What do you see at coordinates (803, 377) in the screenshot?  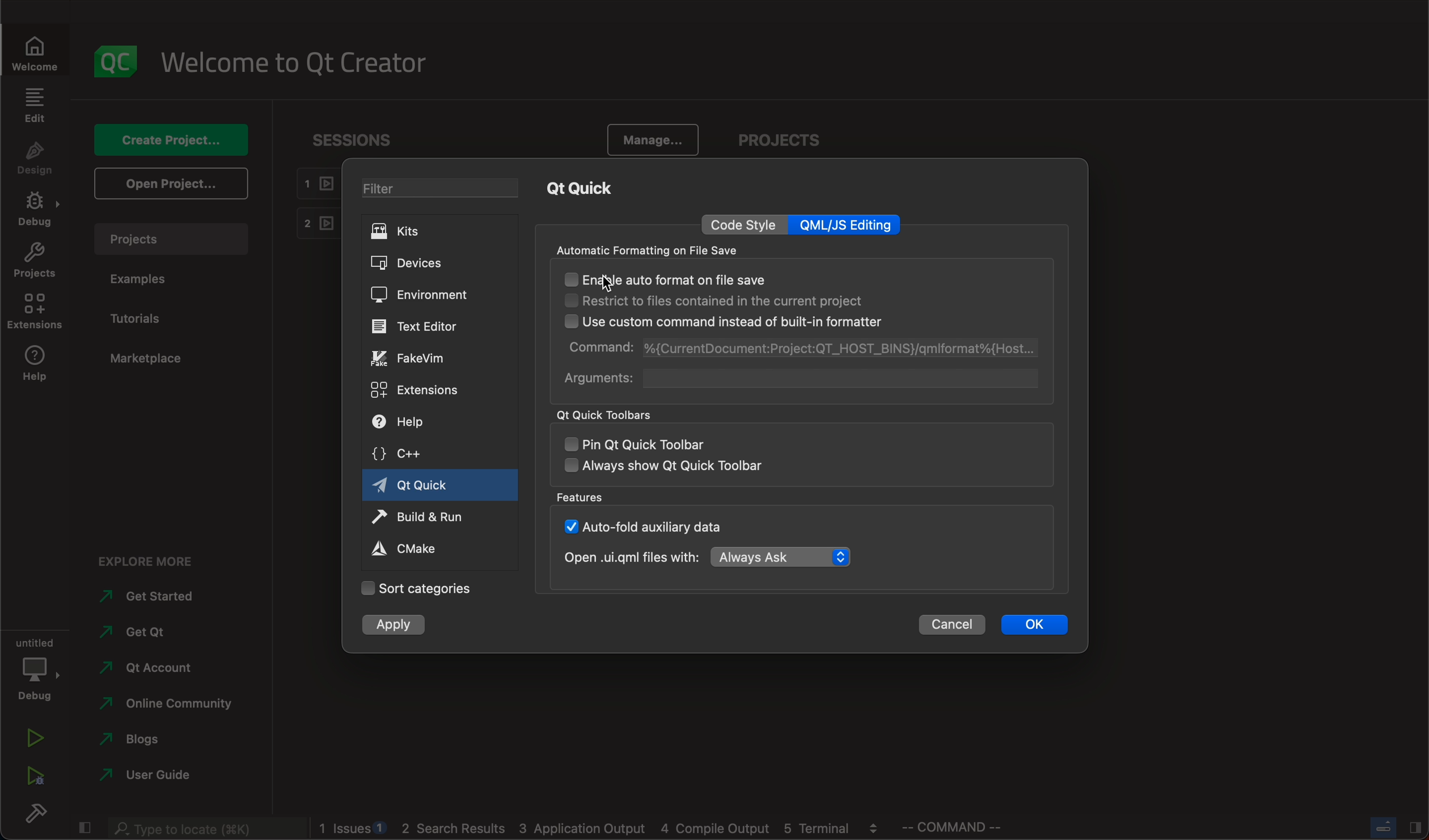 I see `arguments` at bounding box center [803, 377].